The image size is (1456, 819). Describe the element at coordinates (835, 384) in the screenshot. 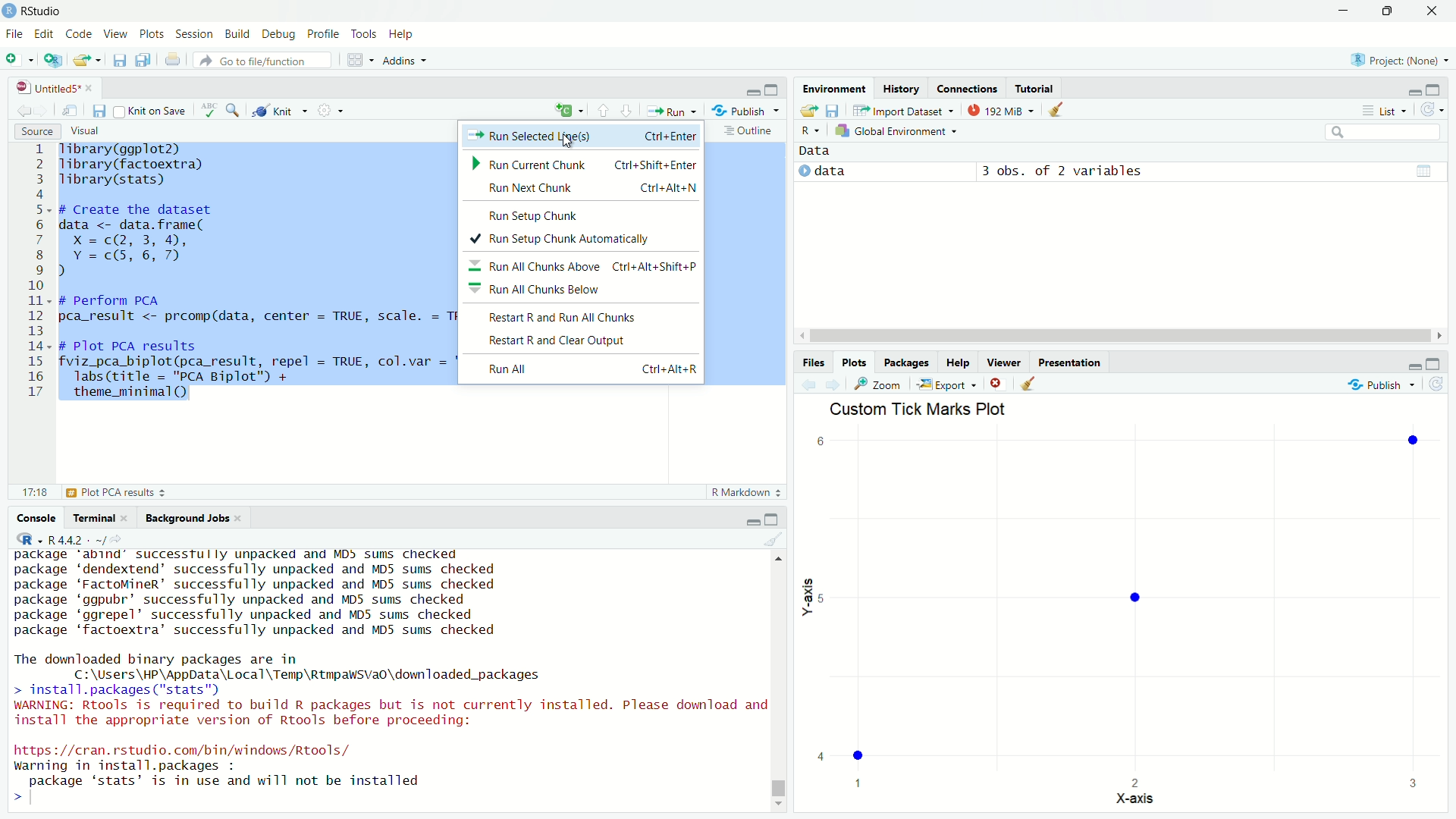

I see `go forward` at that location.